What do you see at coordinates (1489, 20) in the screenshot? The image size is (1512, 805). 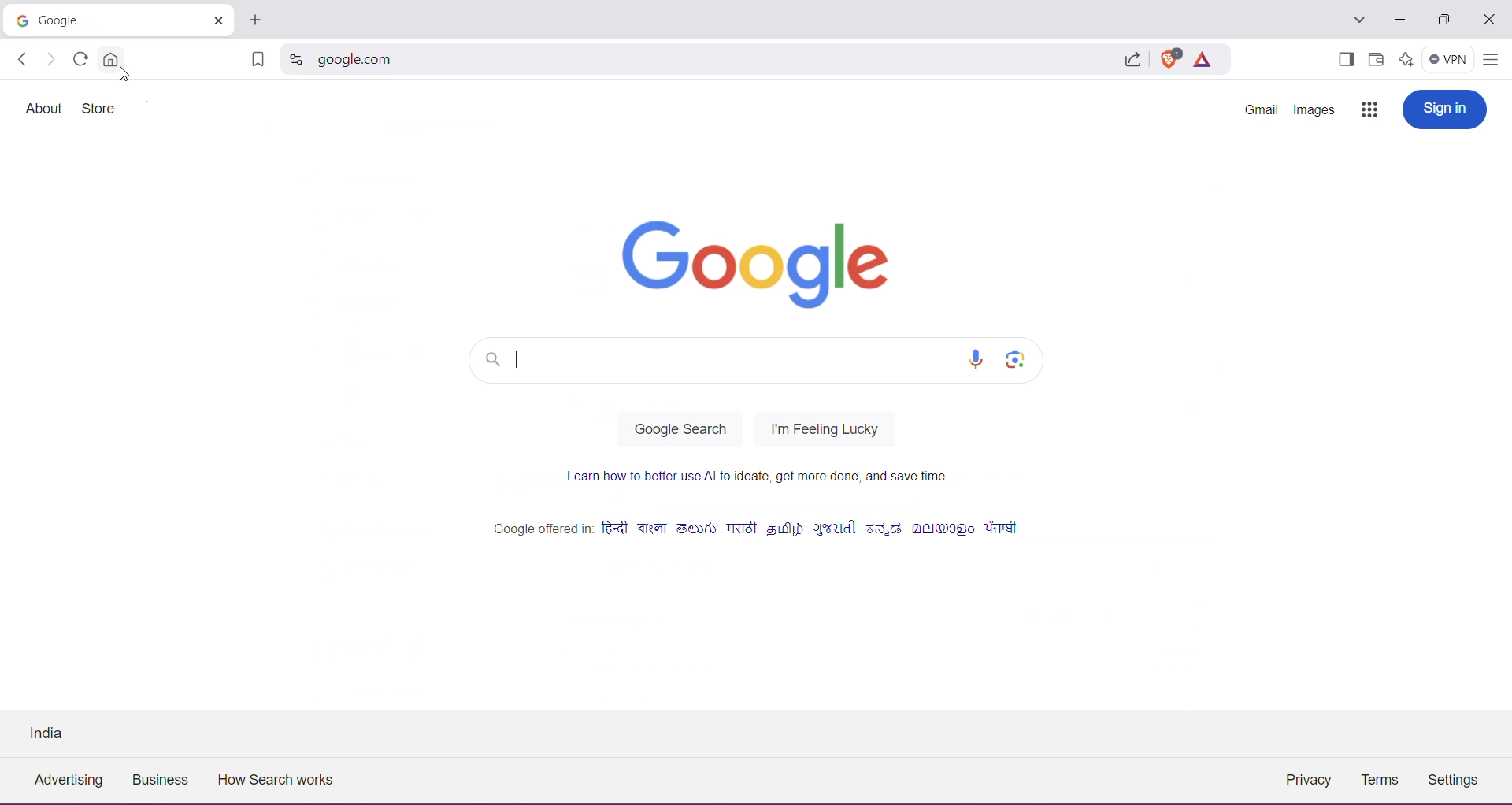 I see `Close` at bounding box center [1489, 20].